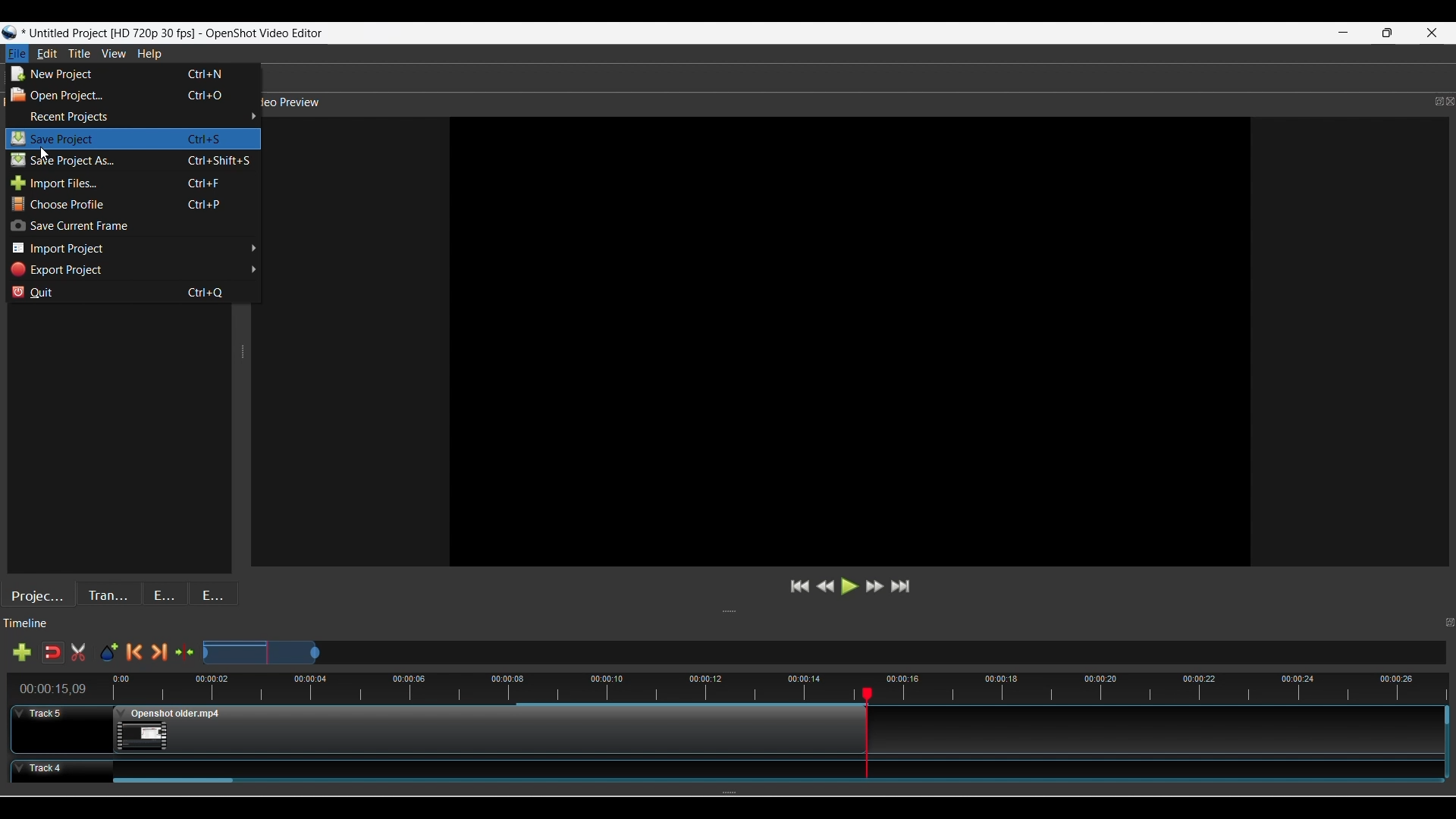 Image resolution: width=1456 pixels, height=819 pixels. I want to click on Quit, so click(131, 291).